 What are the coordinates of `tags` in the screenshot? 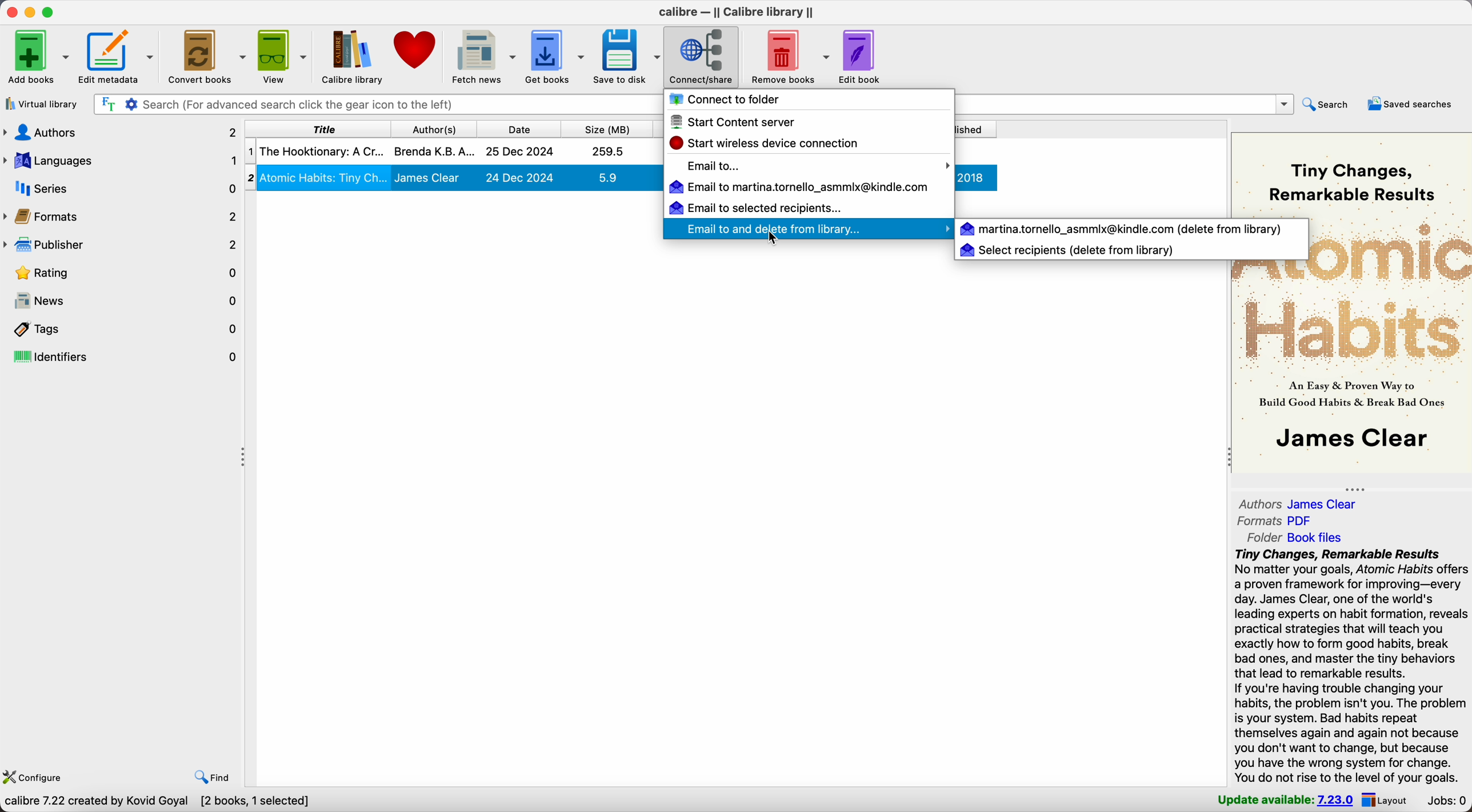 It's located at (122, 329).